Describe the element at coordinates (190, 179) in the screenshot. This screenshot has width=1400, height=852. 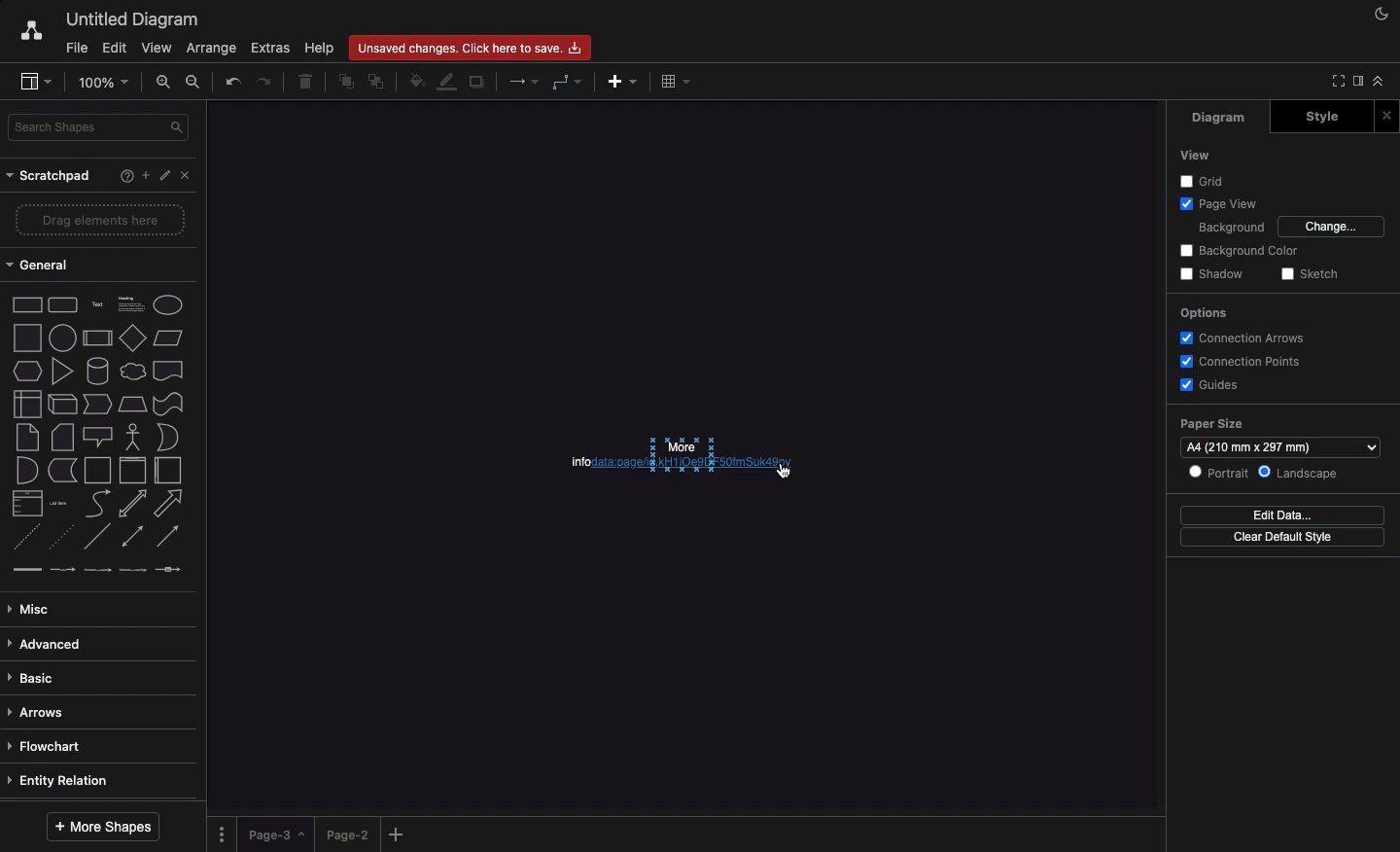
I see `Close` at that location.